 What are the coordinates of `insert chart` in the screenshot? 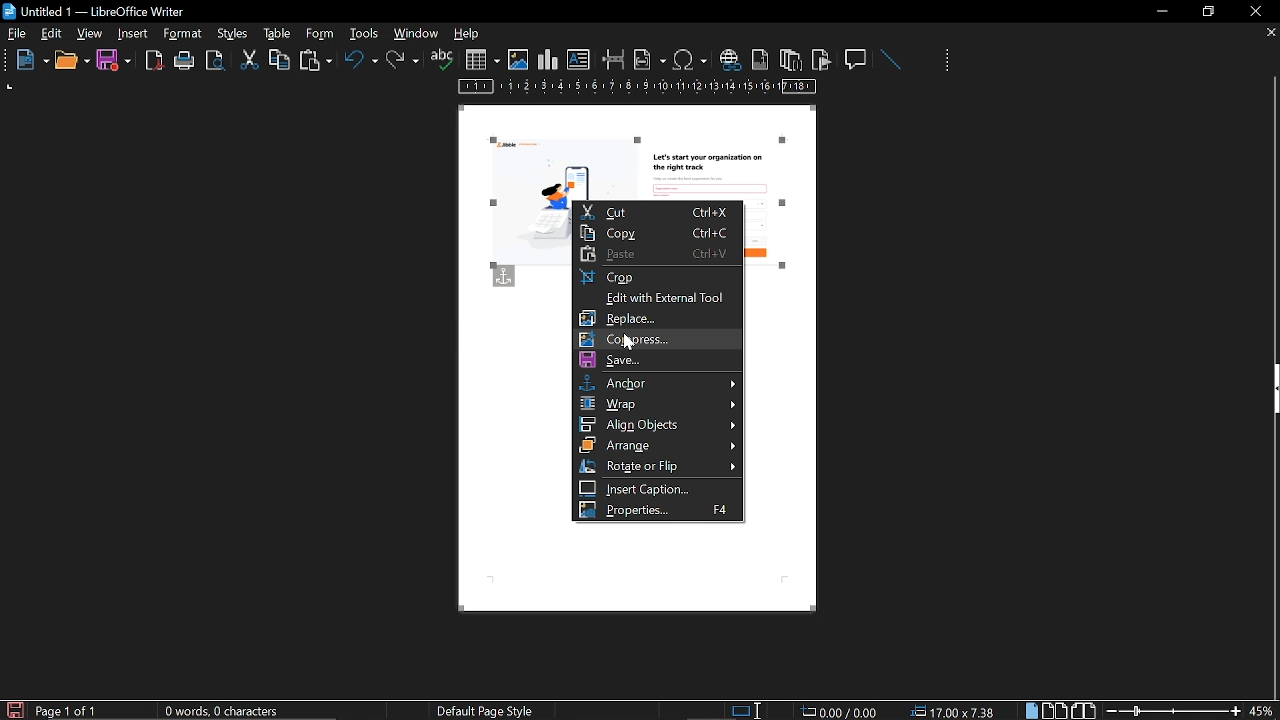 It's located at (548, 60).